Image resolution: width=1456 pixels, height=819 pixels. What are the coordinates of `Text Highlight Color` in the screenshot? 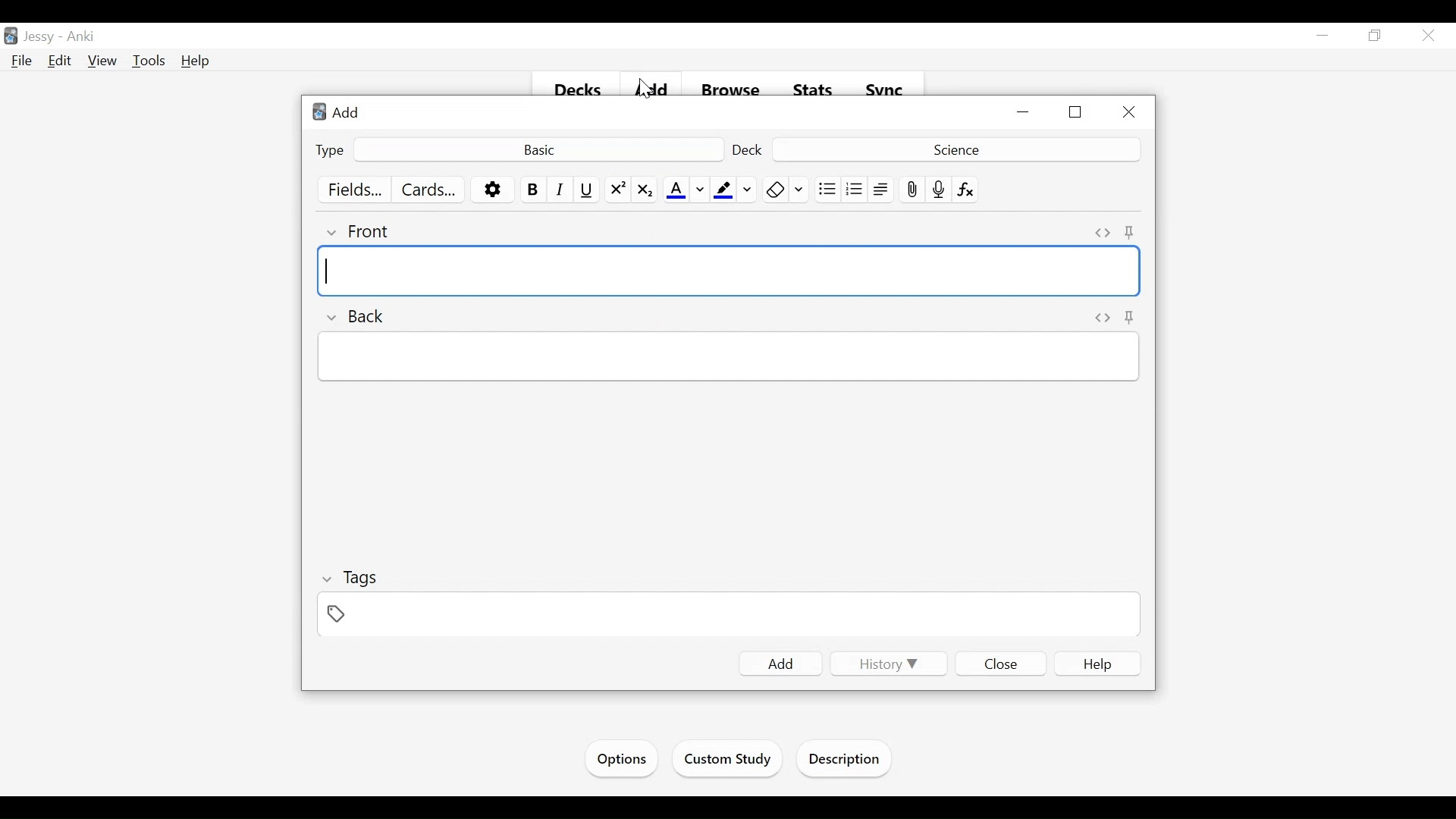 It's located at (722, 190).